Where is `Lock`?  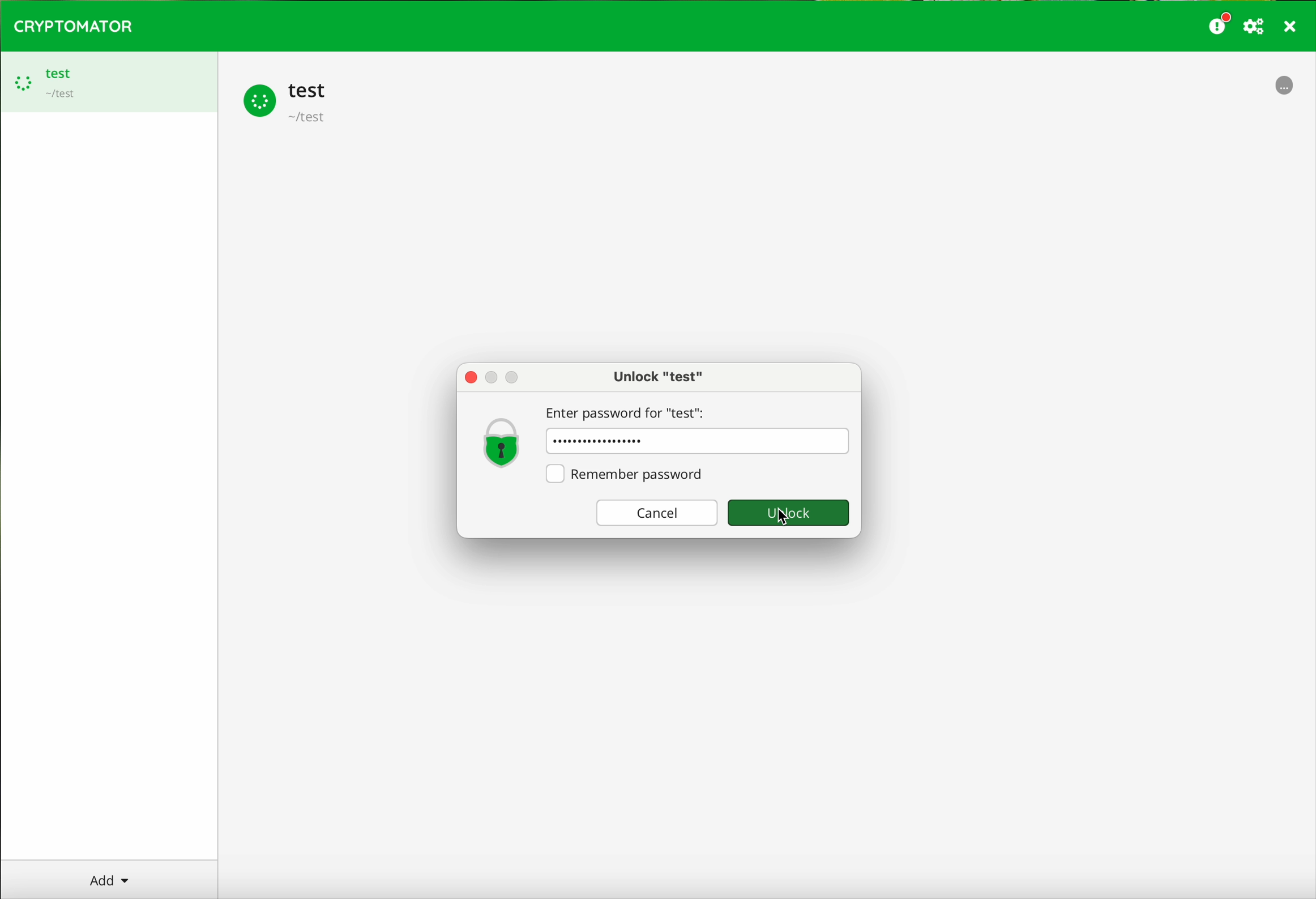
Lock is located at coordinates (502, 442).